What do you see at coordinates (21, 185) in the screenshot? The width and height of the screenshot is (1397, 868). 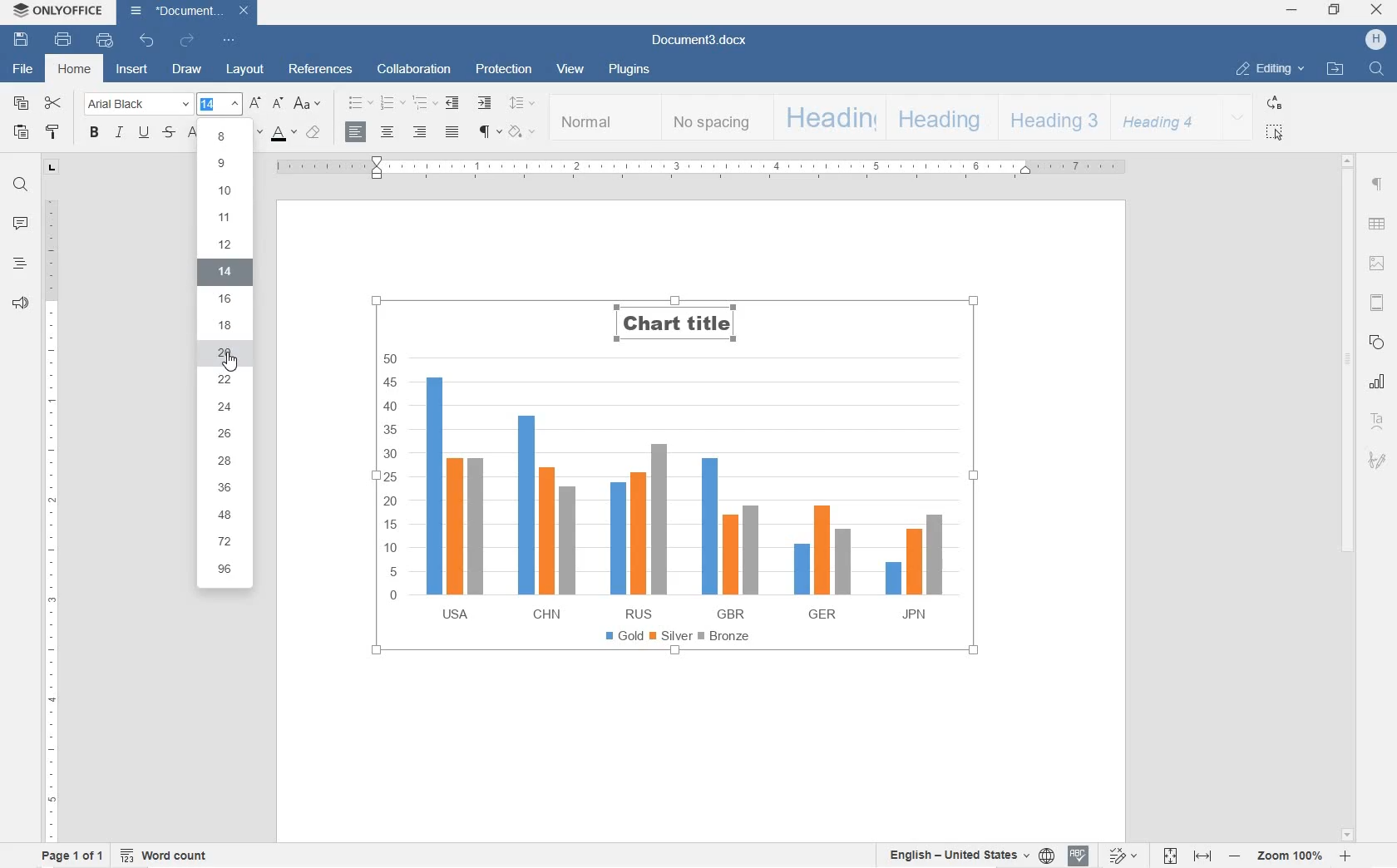 I see `FIND` at bounding box center [21, 185].